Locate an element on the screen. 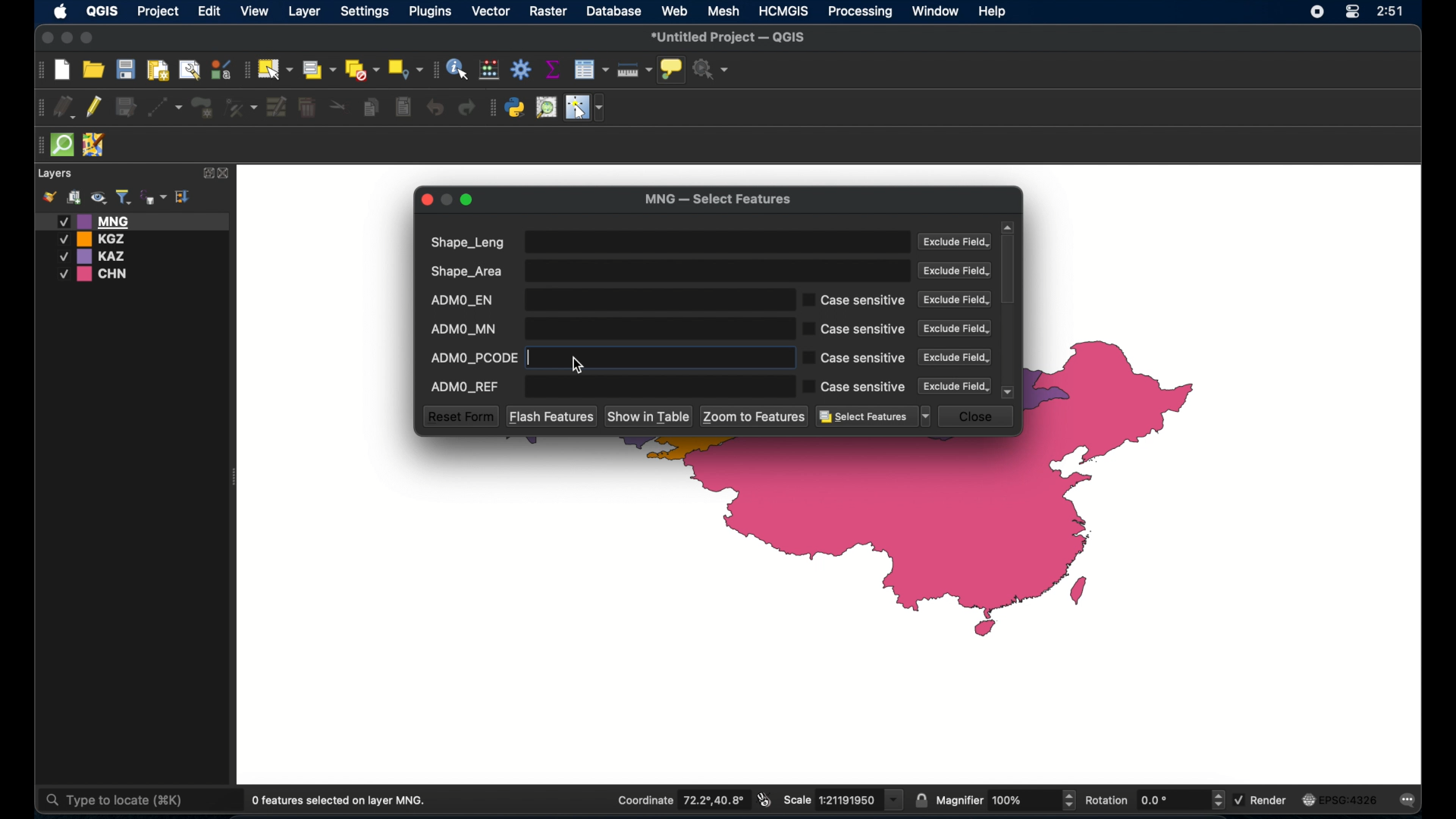 The width and height of the screenshot is (1456, 819). Exclude field is located at coordinates (953, 300).